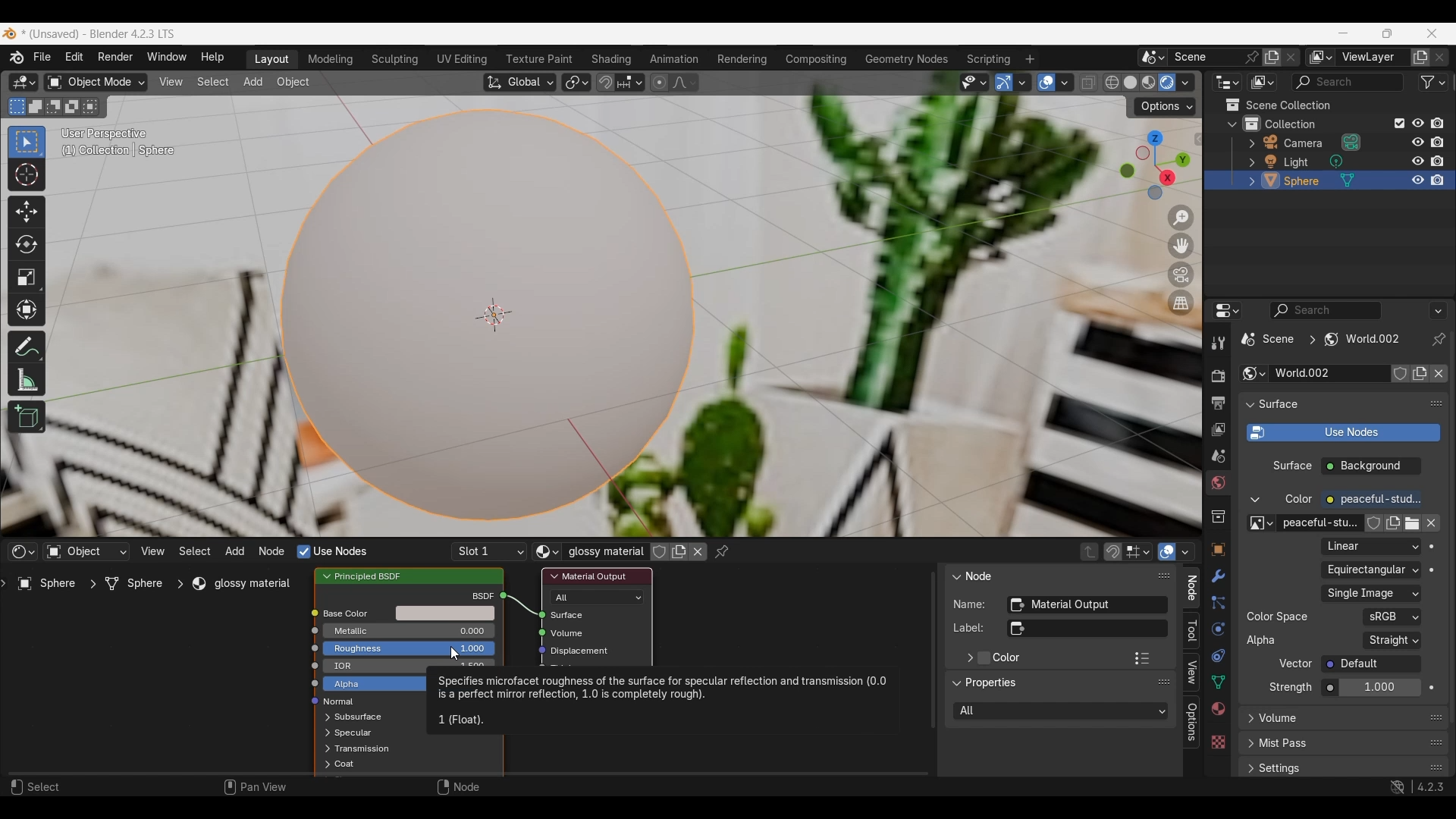 The image size is (1456, 819). Describe the element at coordinates (956, 683) in the screenshot. I see `Collapse` at that location.